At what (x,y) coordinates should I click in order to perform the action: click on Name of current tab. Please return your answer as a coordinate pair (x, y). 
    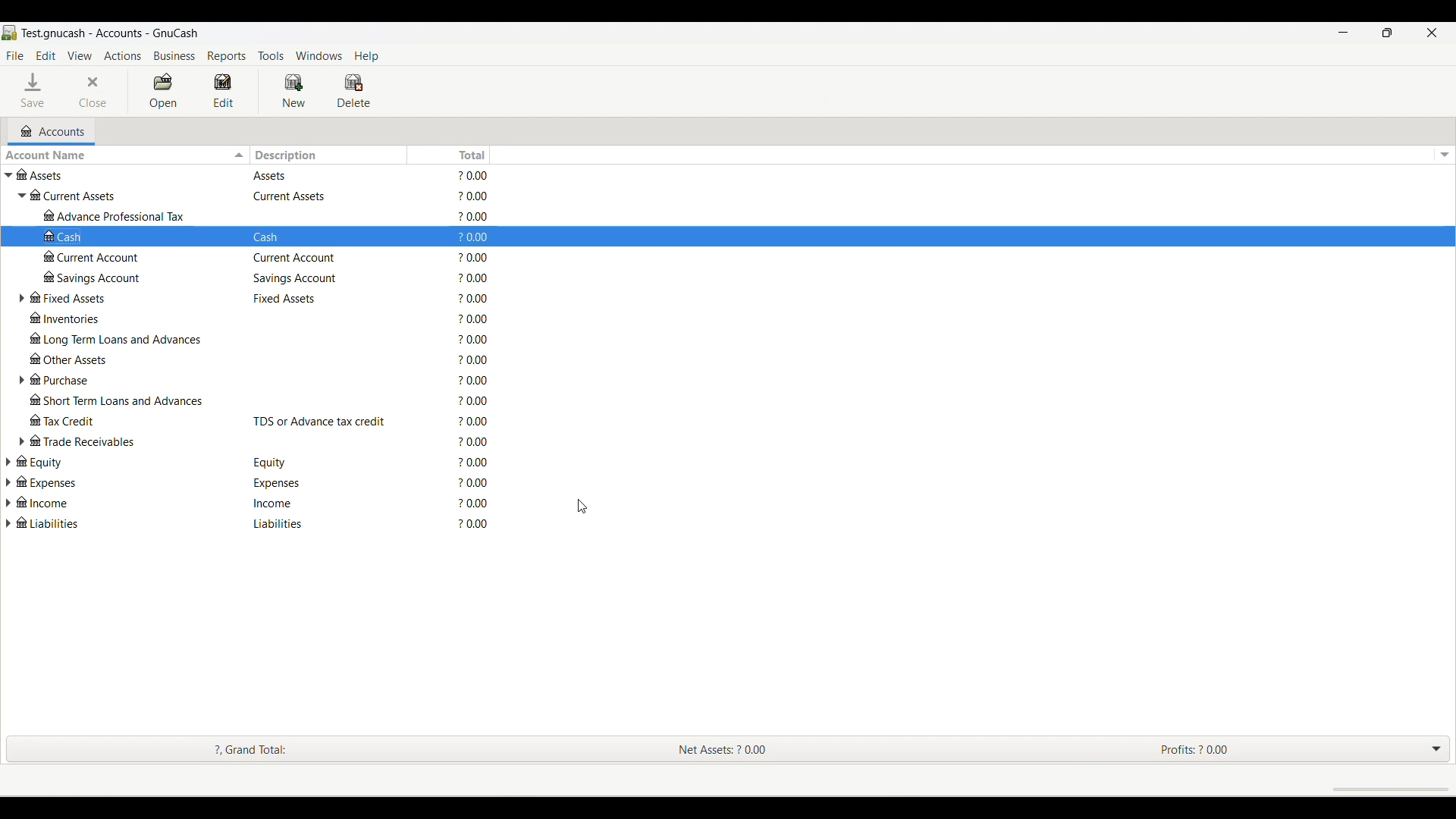
    Looking at the image, I should click on (101, 33).